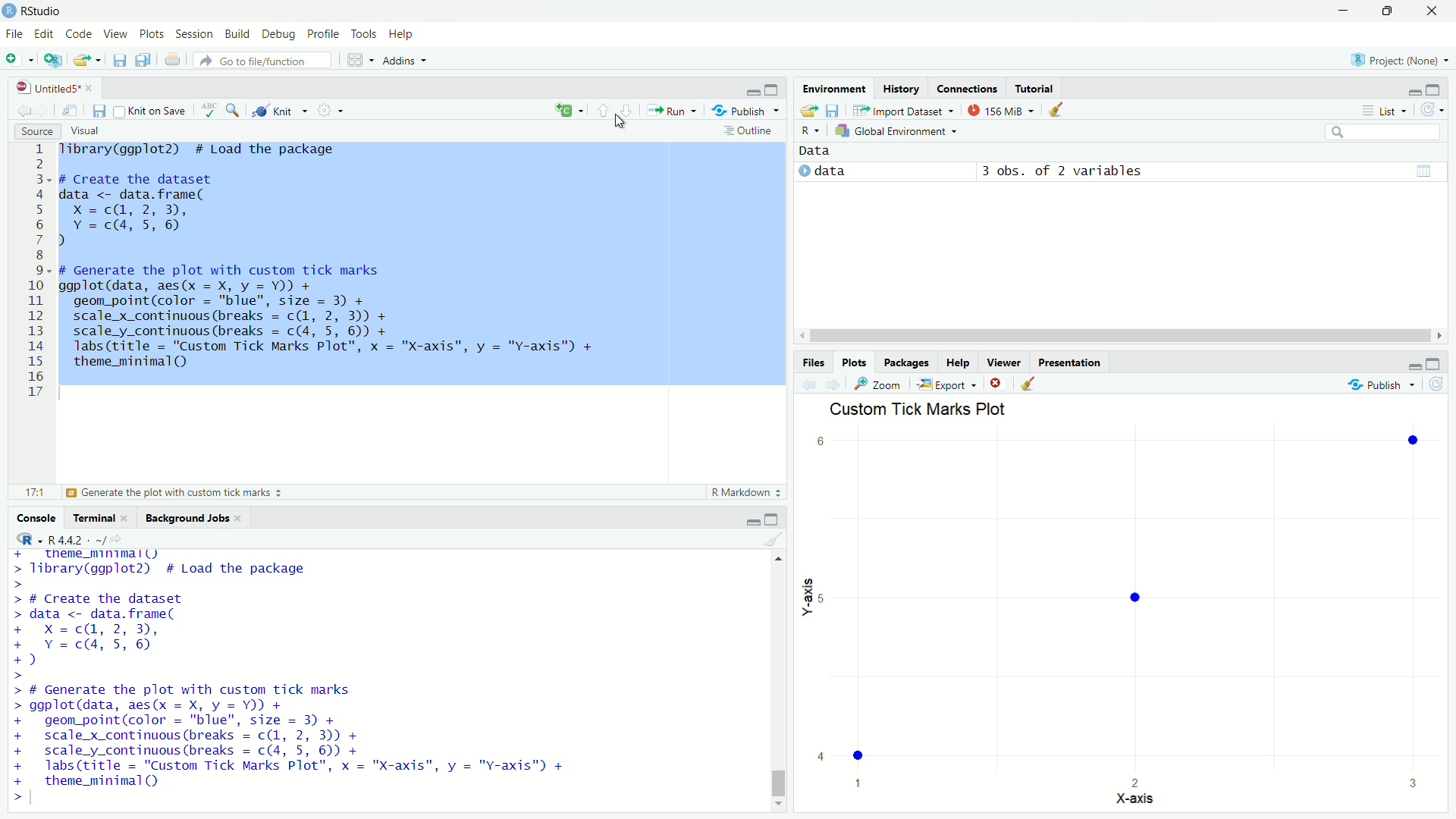 The width and height of the screenshot is (1456, 819). Describe the element at coordinates (130, 518) in the screenshot. I see `close` at that location.